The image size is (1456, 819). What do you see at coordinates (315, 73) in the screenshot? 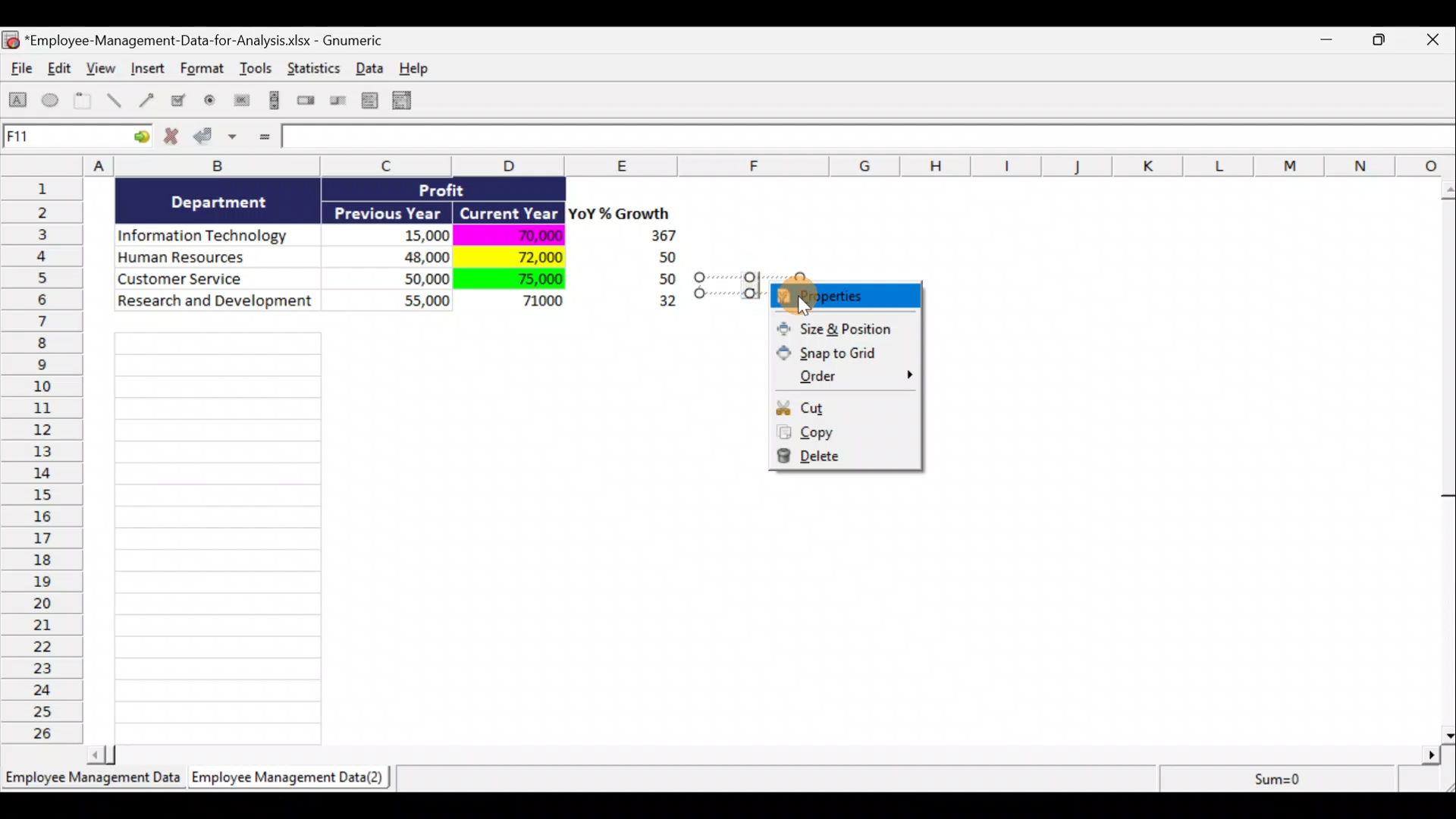
I see `Statistics` at bounding box center [315, 73].